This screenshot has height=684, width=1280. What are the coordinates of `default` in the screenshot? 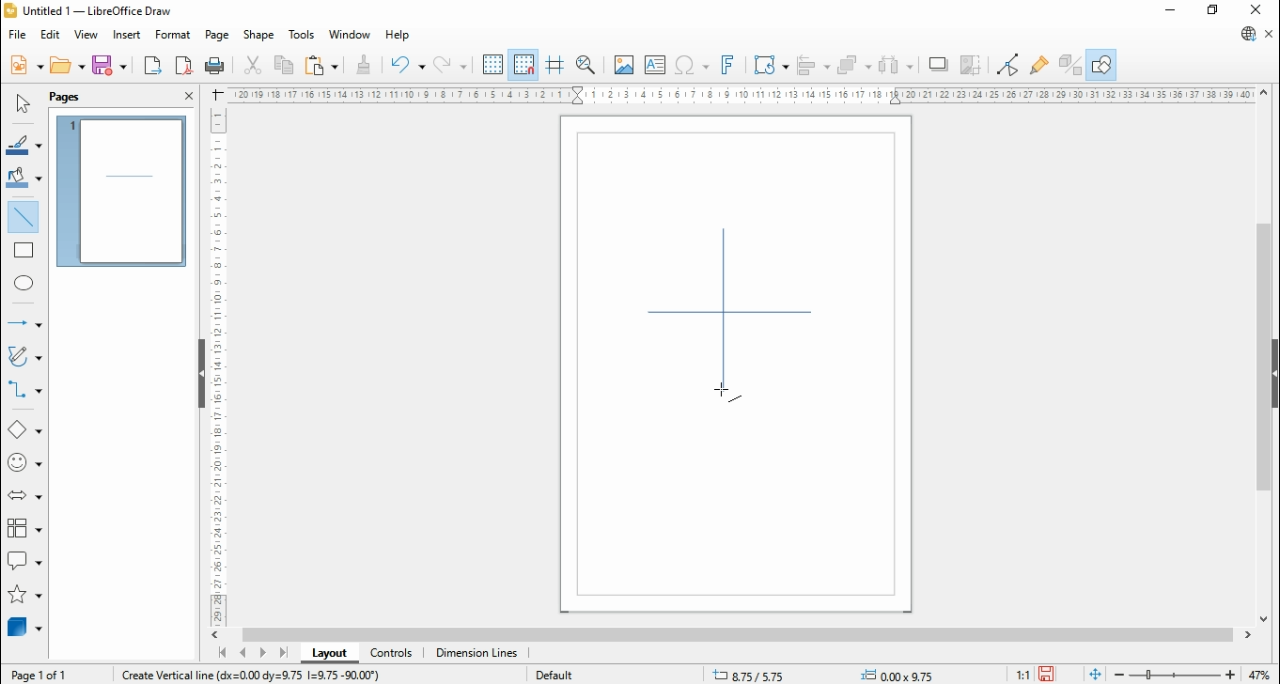 It's located at (555, 675).